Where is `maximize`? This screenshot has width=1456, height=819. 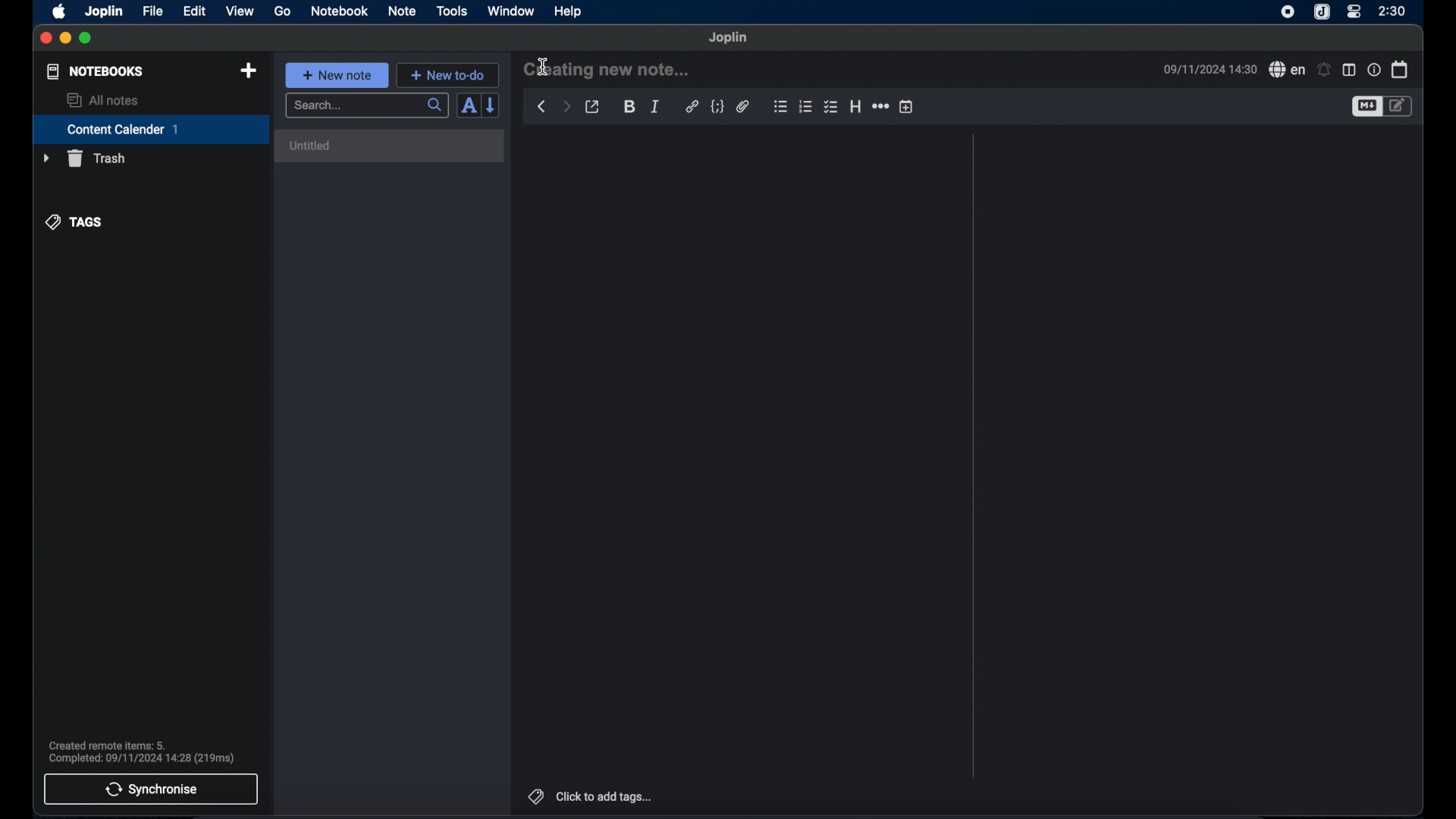 maximize is located at coordinates (86, 39).